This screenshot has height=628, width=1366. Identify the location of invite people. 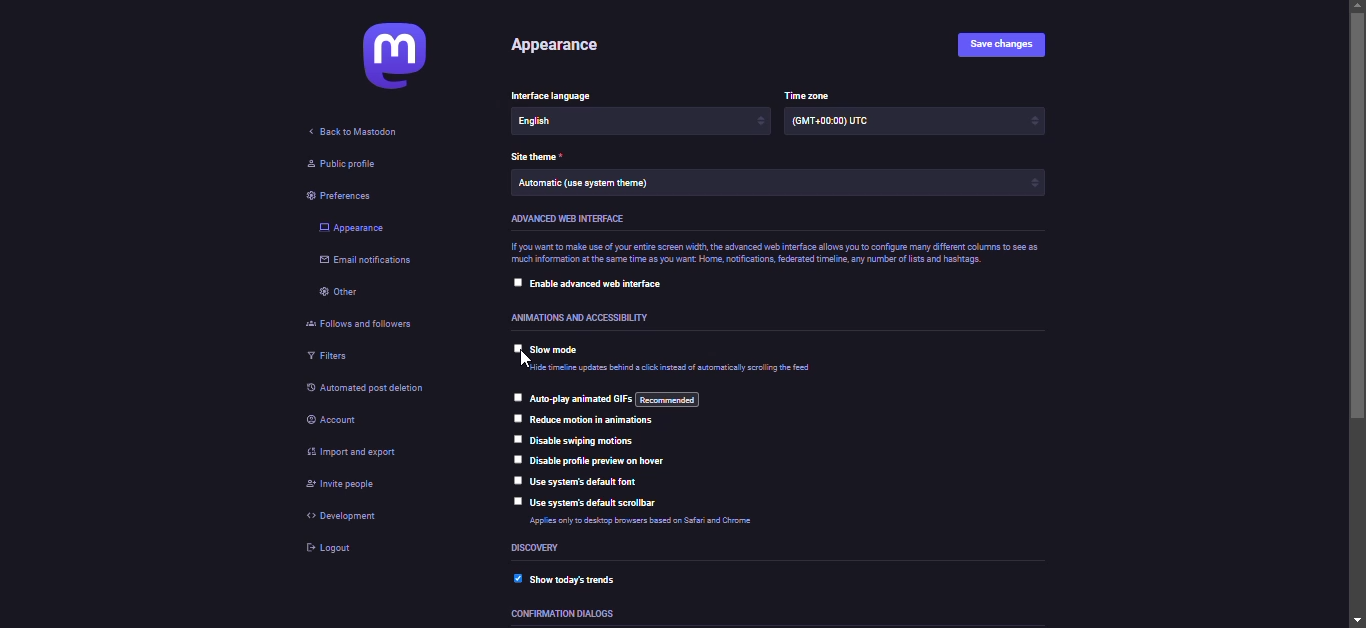
(345, 487).